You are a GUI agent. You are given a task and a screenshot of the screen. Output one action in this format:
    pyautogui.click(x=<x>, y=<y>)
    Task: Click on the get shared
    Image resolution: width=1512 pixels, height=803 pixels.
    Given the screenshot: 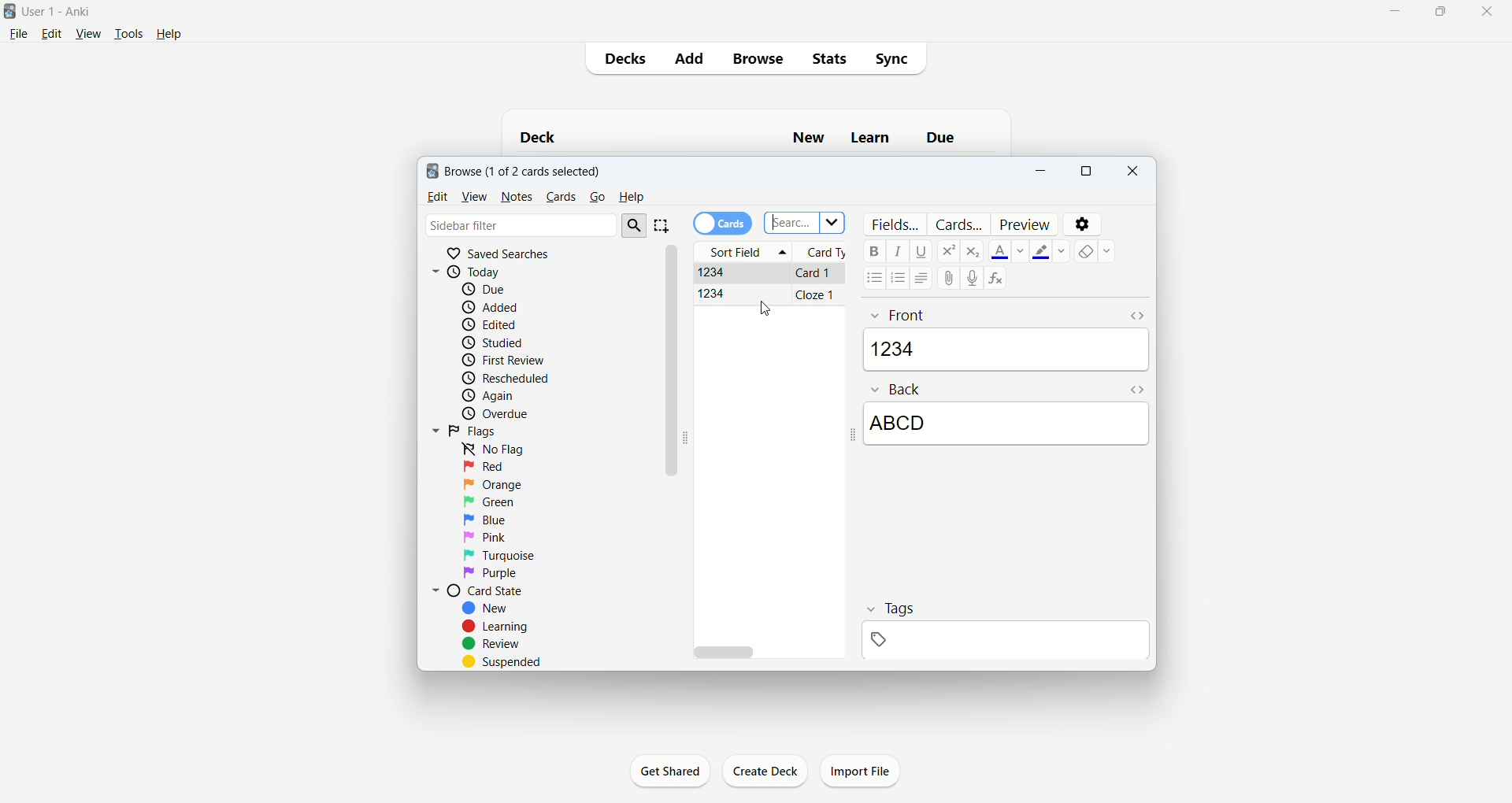 What is the action you would take?
    pyautogui.click(x=670, y=772)
    